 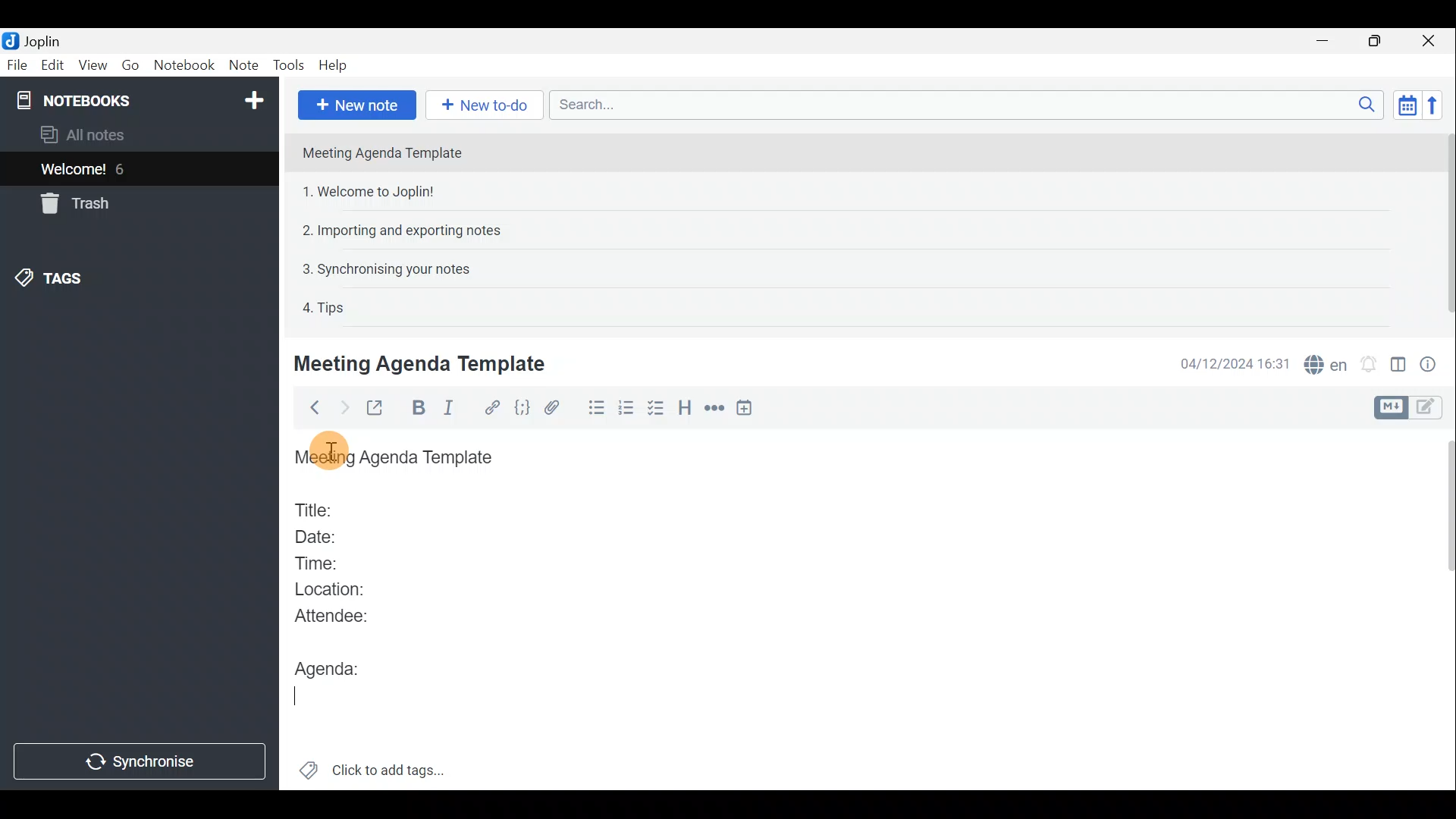 What do you see at coordinates (748, 410) in the screenshot?
I see `Insert time` at bounding box center [748, 410].